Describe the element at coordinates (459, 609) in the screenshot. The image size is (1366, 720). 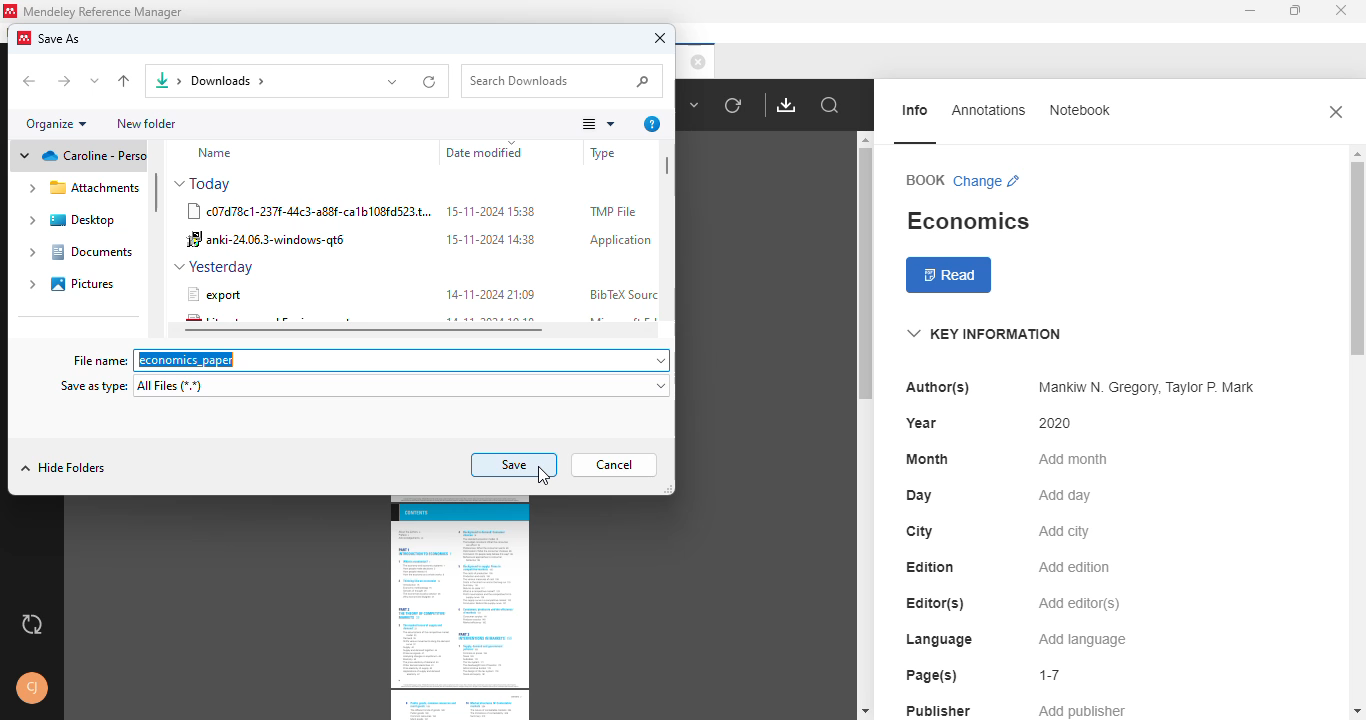
I see `PDF pages` at that location.